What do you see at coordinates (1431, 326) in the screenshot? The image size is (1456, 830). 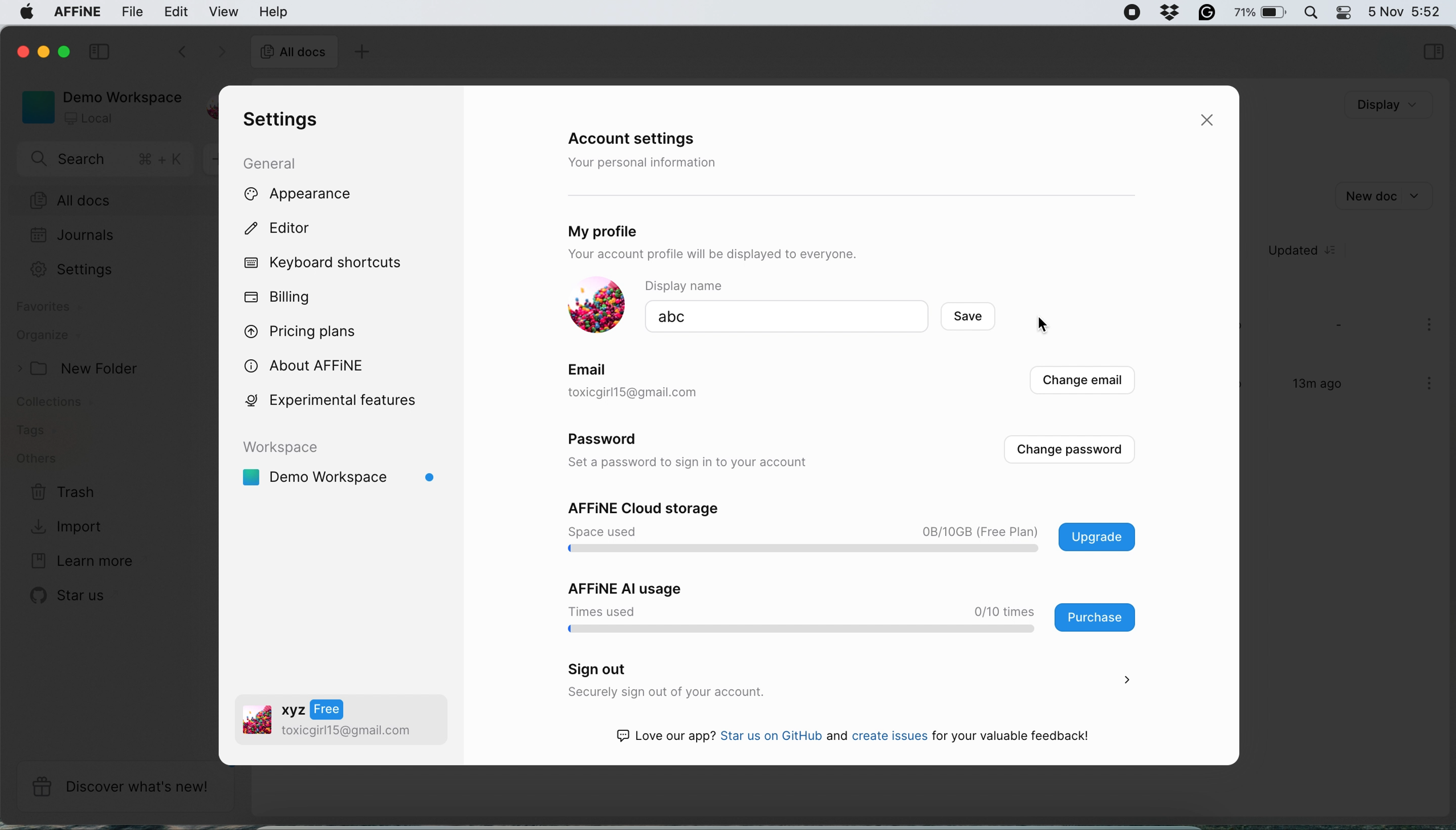 I see `more options` at bounding box center [1431, 326].